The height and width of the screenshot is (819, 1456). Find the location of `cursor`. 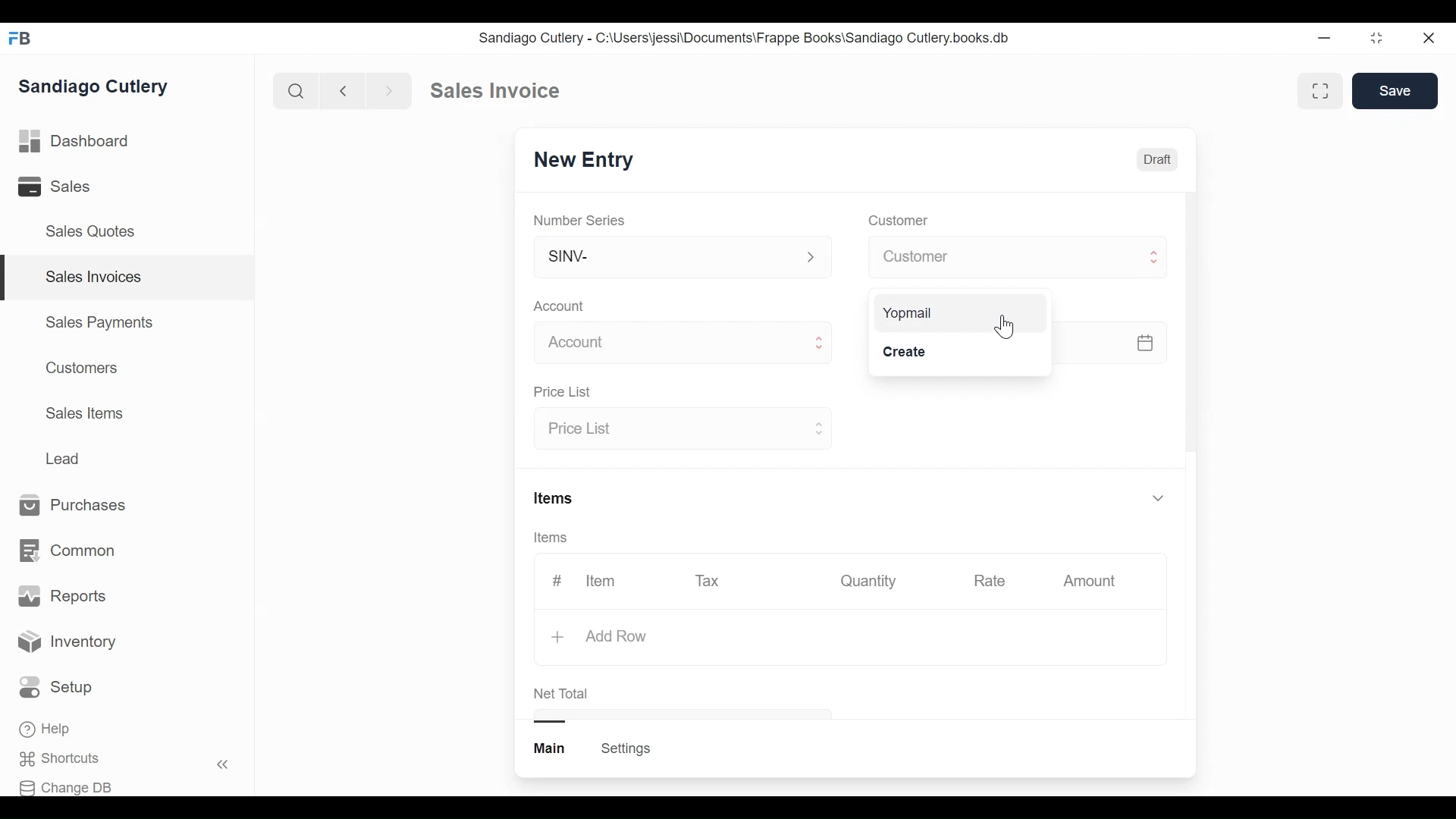

cursor is located at coordinates (1004, 327).